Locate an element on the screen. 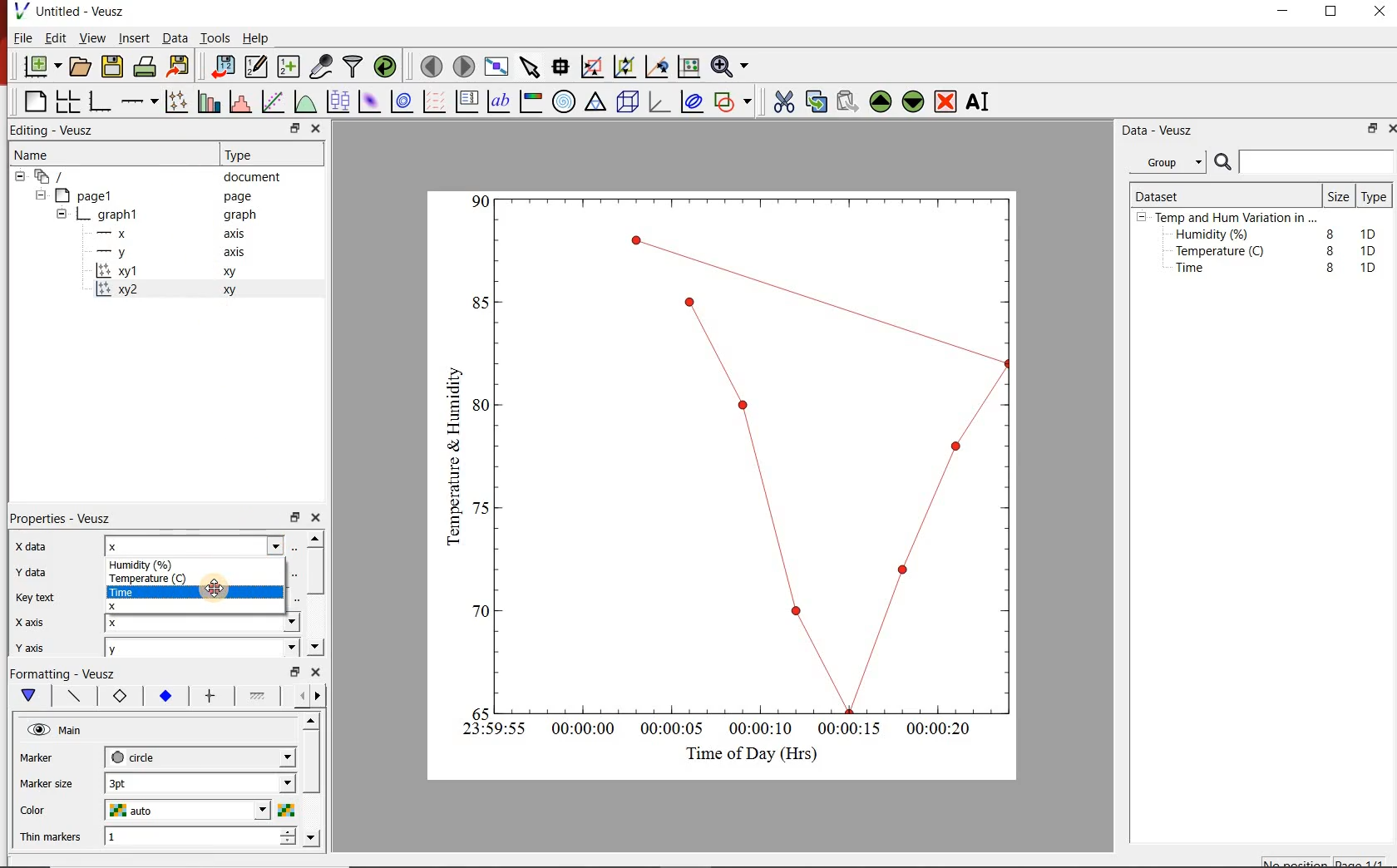 The width and height of the screenshot is (1397, 868). xy1 is located at coordinates (126, 271).